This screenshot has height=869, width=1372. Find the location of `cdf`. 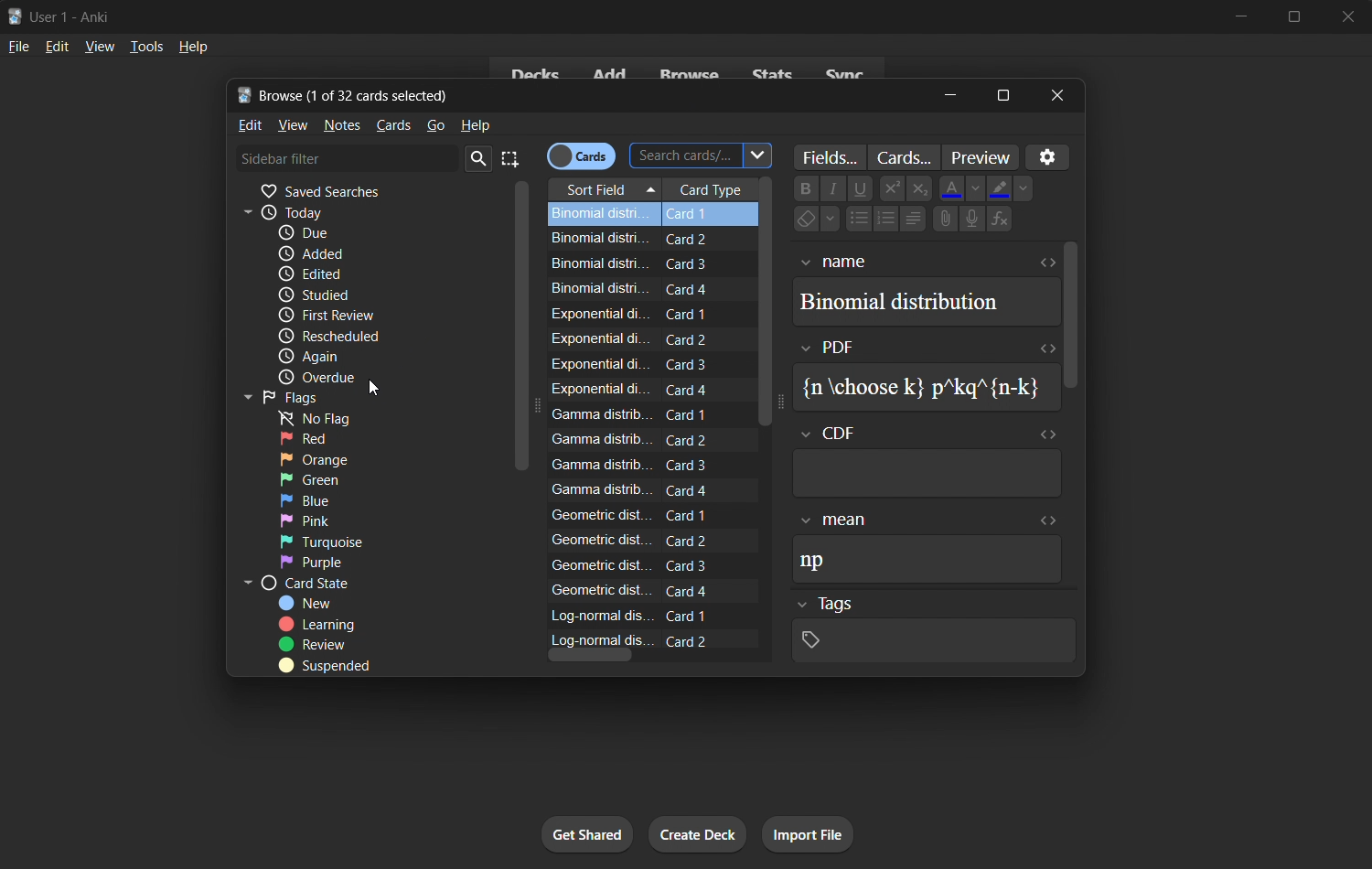

cdf is located at coordinates (862, 434).